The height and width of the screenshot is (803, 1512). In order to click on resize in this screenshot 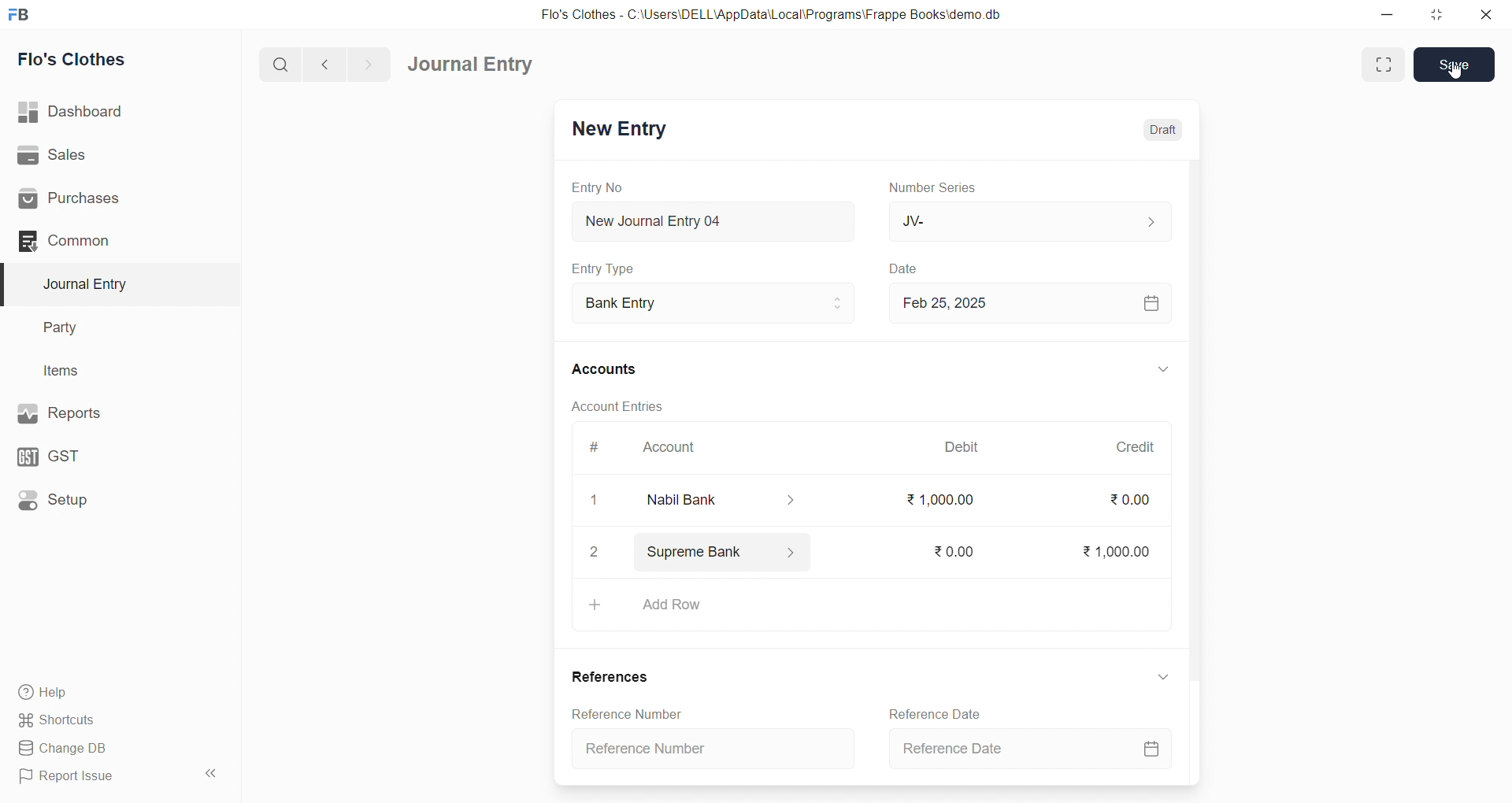, I will do `click(1432, 14)`.